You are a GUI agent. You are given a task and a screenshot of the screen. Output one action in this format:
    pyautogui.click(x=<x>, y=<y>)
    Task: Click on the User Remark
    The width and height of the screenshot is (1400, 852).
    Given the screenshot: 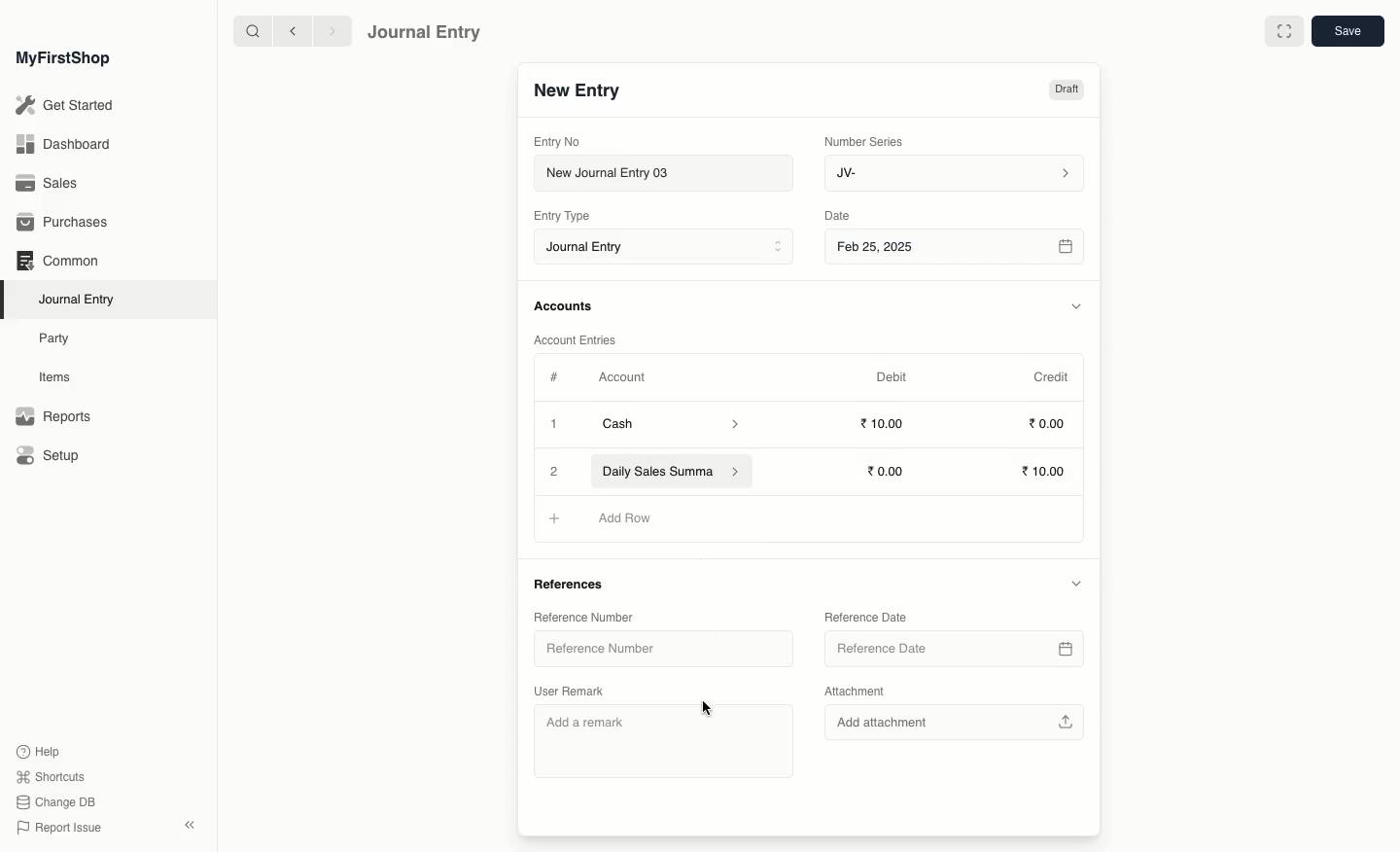 What is the action you would take?
    pyautogui.click(x=573, y=689)
    